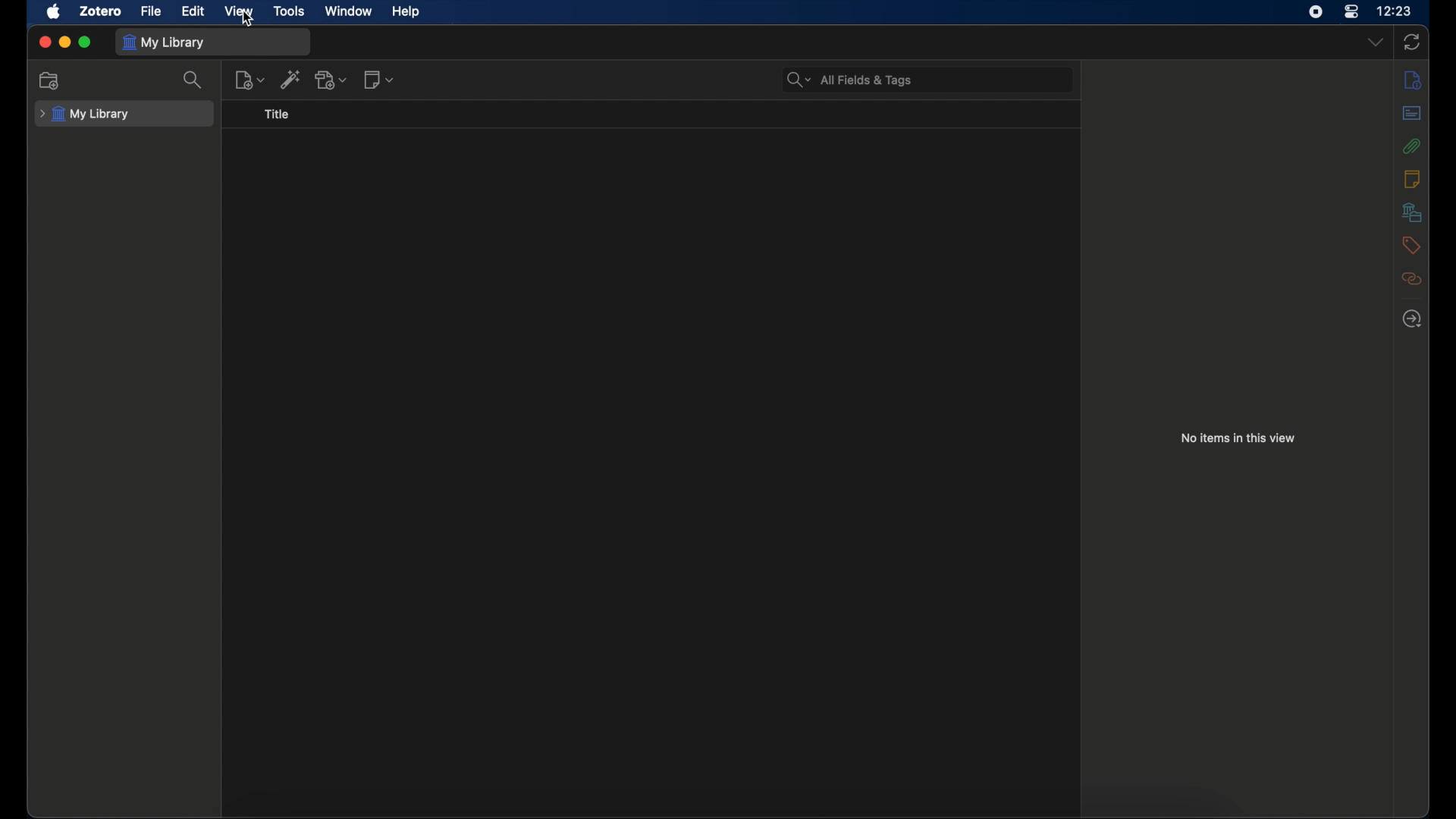  I want to click on window, so click(350, 11).